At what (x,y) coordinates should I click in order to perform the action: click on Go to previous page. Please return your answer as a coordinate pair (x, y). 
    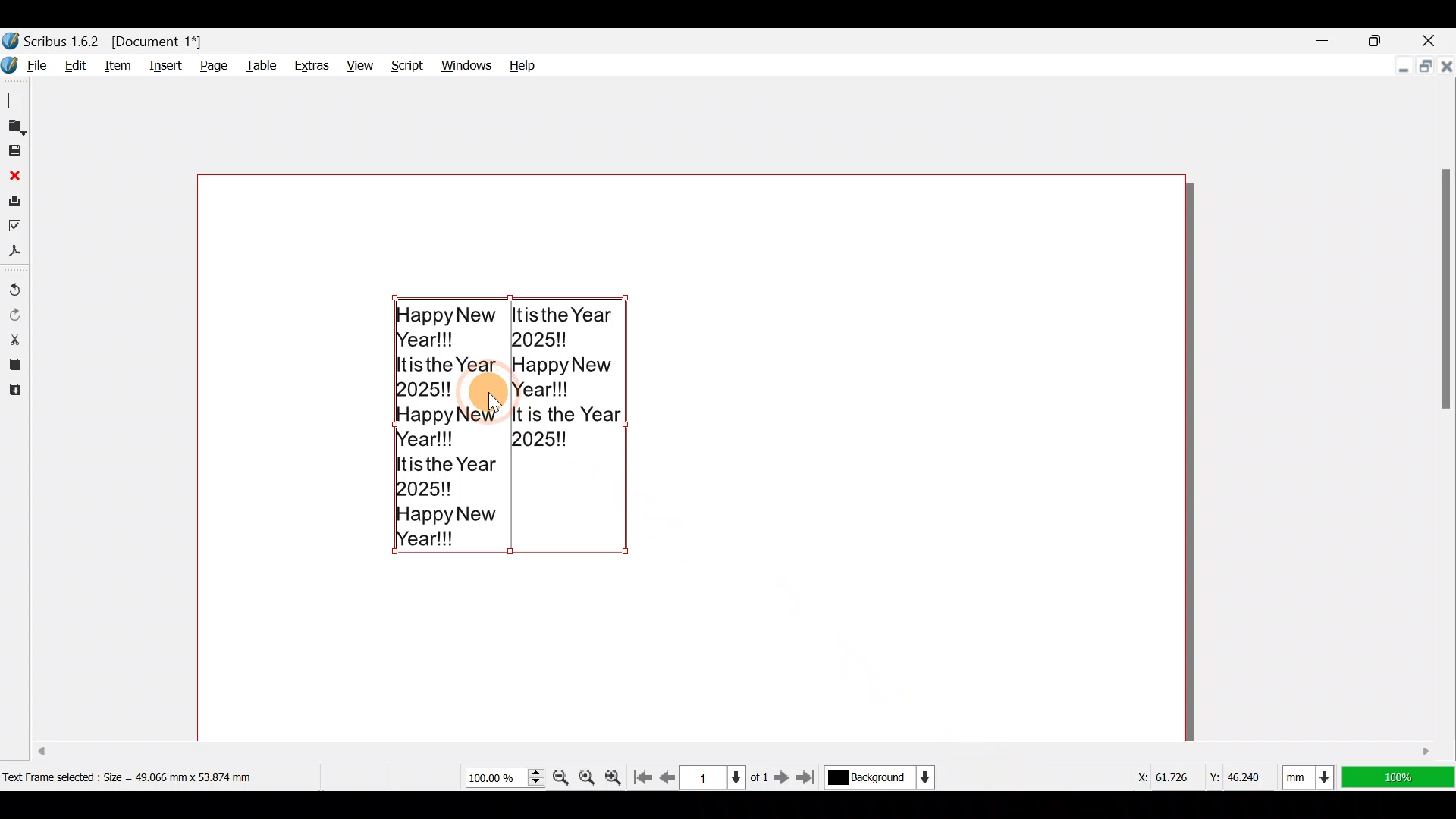
    Looking at the image, I should click on (668, 774).